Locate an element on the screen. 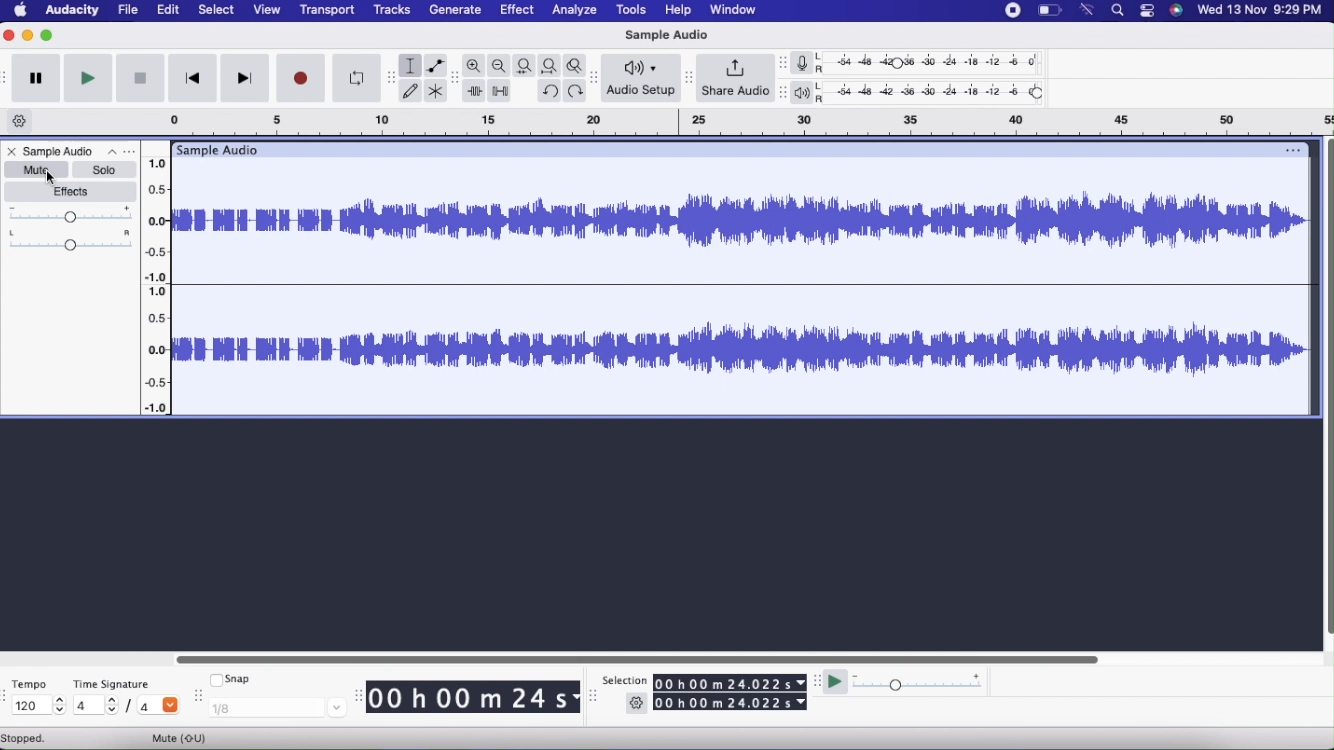 This screenshot has width=1334, height=750. Sample Audio is located at coordinates (672, 33).